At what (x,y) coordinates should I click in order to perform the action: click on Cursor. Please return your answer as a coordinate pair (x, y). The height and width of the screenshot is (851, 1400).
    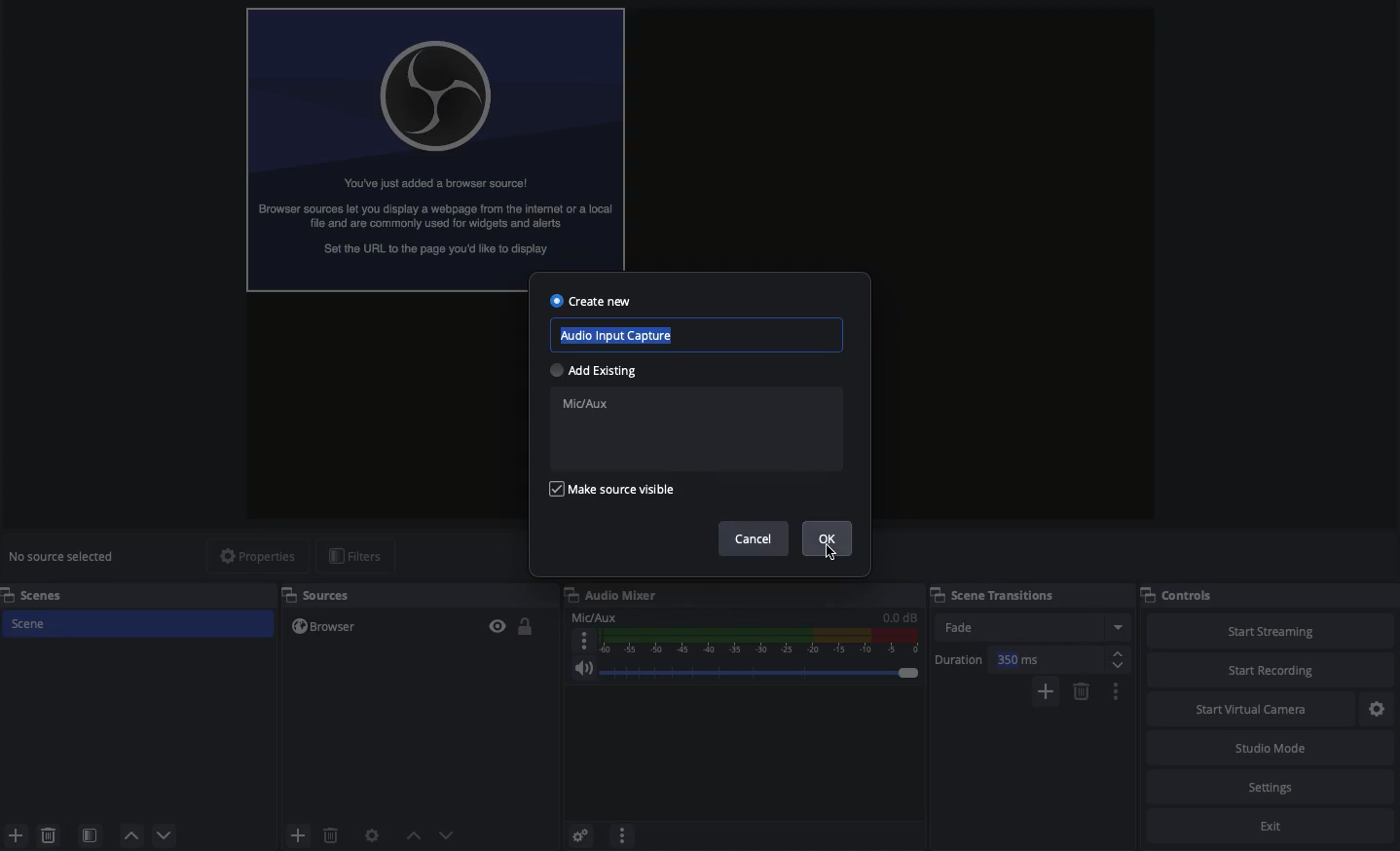
    Looking at the image, I should click on (836, 554).